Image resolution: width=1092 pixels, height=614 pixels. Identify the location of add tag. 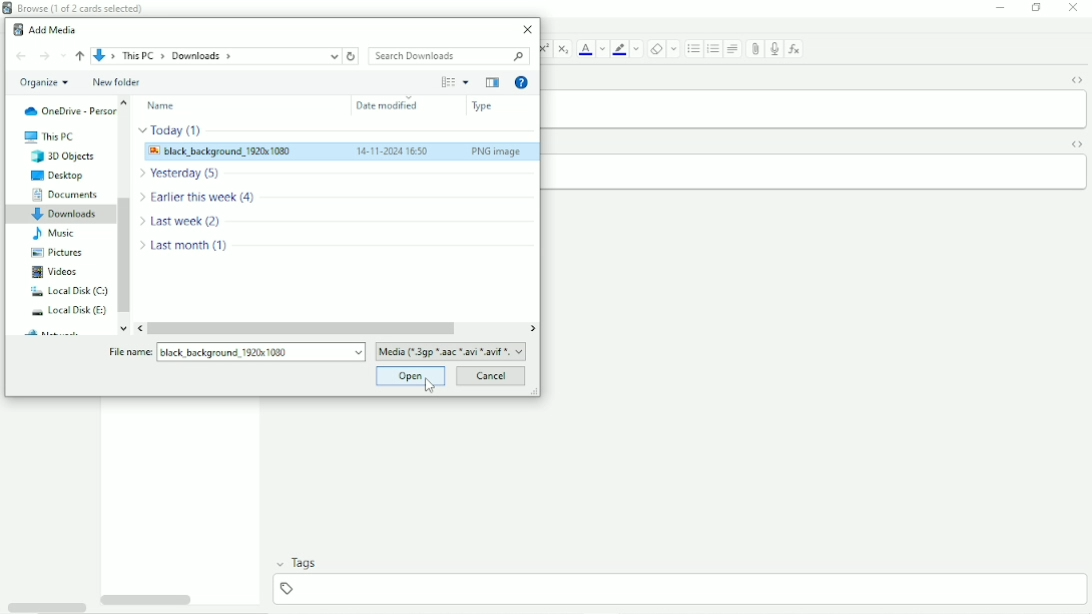
(678, 589).